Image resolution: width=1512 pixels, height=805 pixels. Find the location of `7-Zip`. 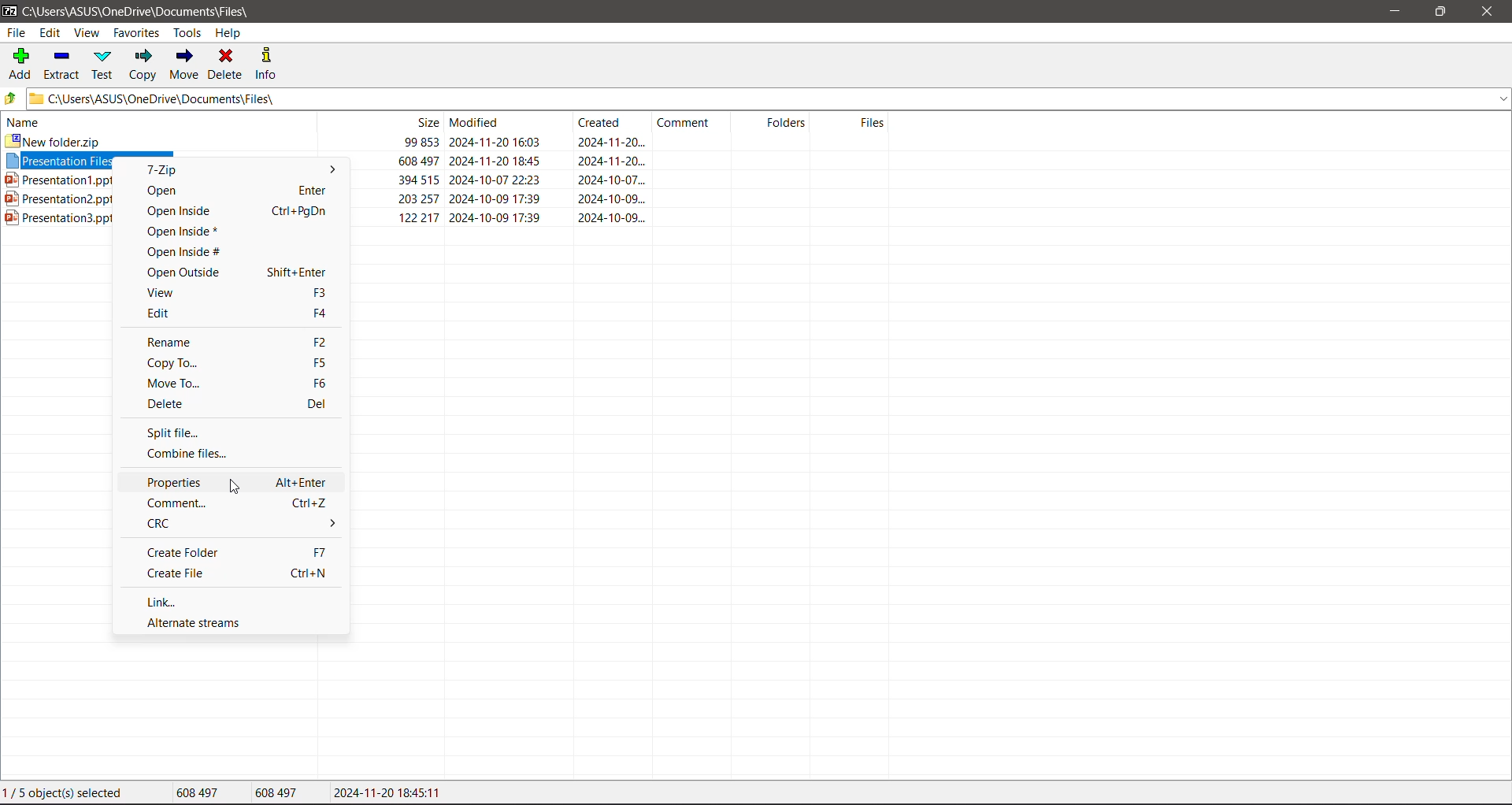

7-Zip is located at coordinates (176, 169).